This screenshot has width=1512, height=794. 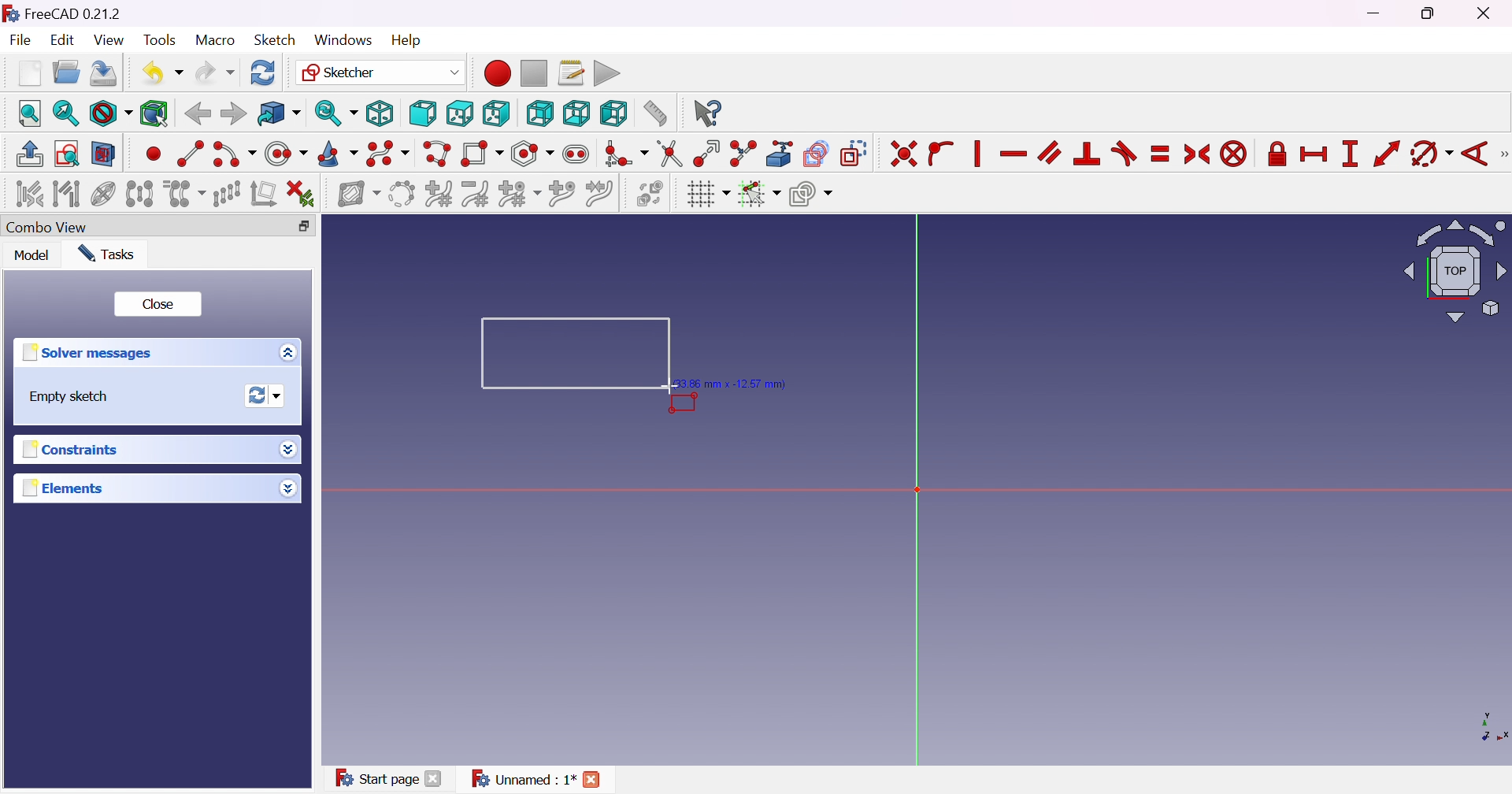 I want to click on Solver messages, so click(x=92, y=352).